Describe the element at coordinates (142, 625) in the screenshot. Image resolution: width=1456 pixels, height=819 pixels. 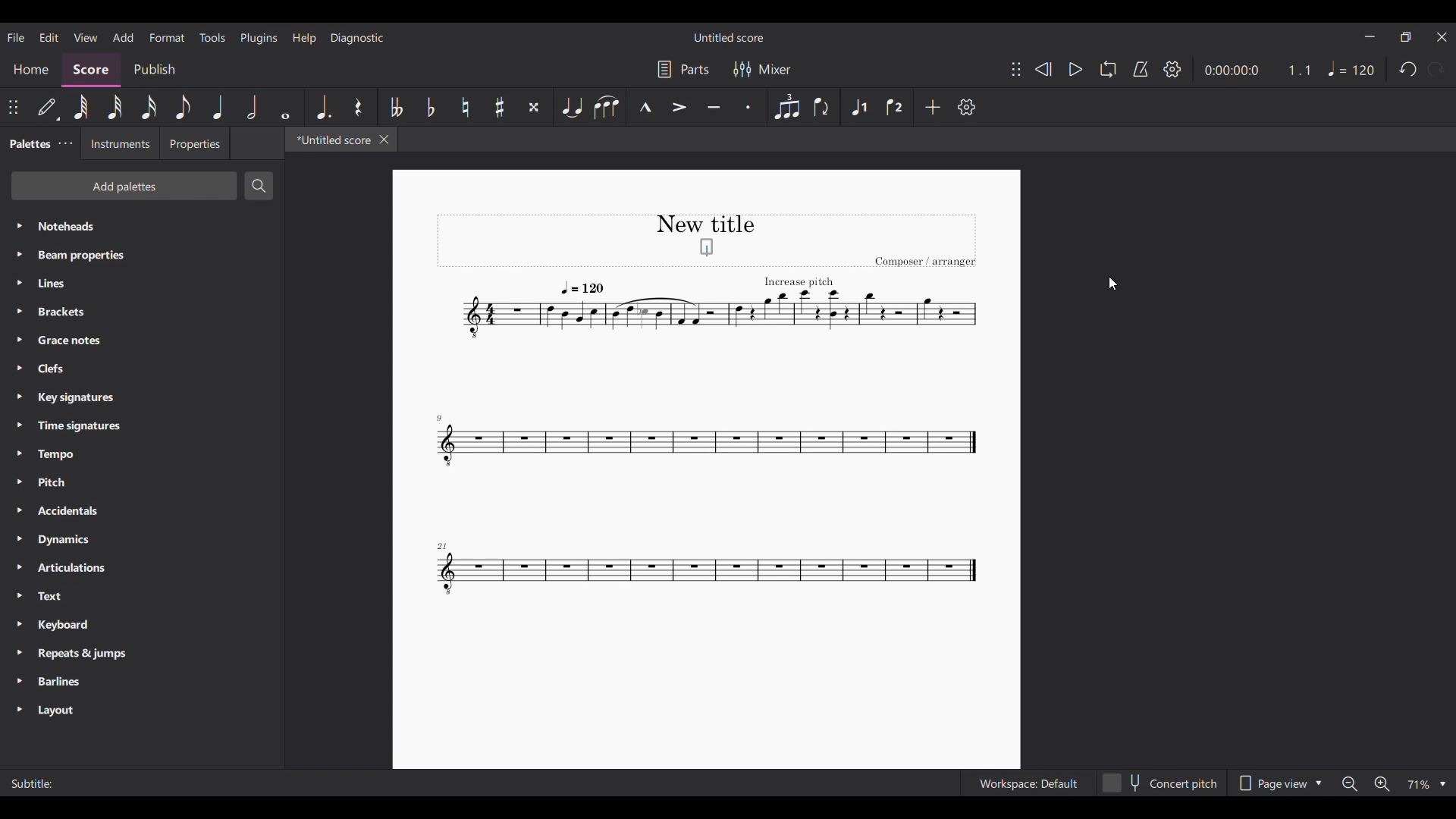
I see `Keyboard` at that location.